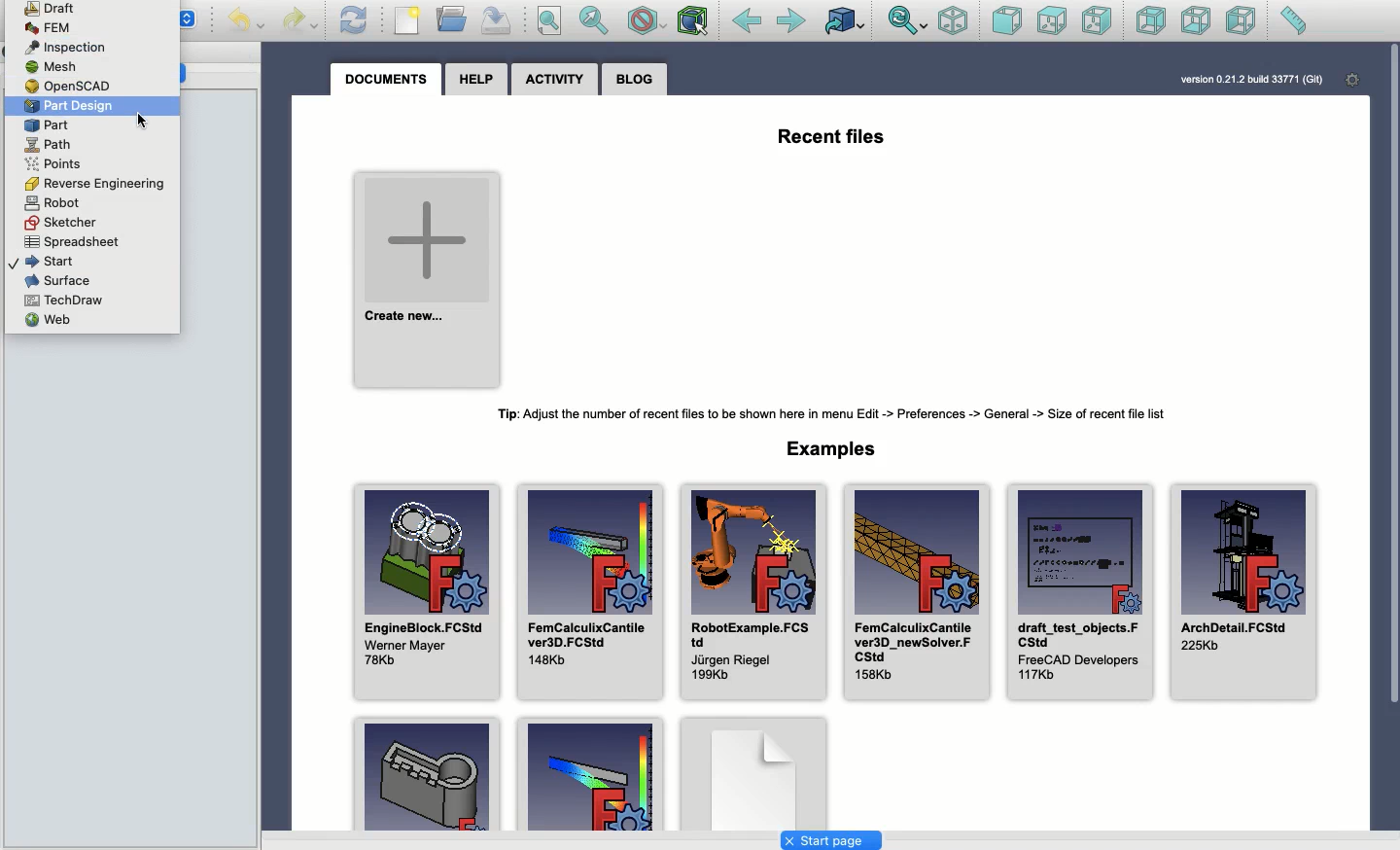 The height and width of the screenshot is (850, 1400). What do you see at coordinates (1354, 81) in the screenshot?
I see `Settings` at bounding box center [1354, 81].